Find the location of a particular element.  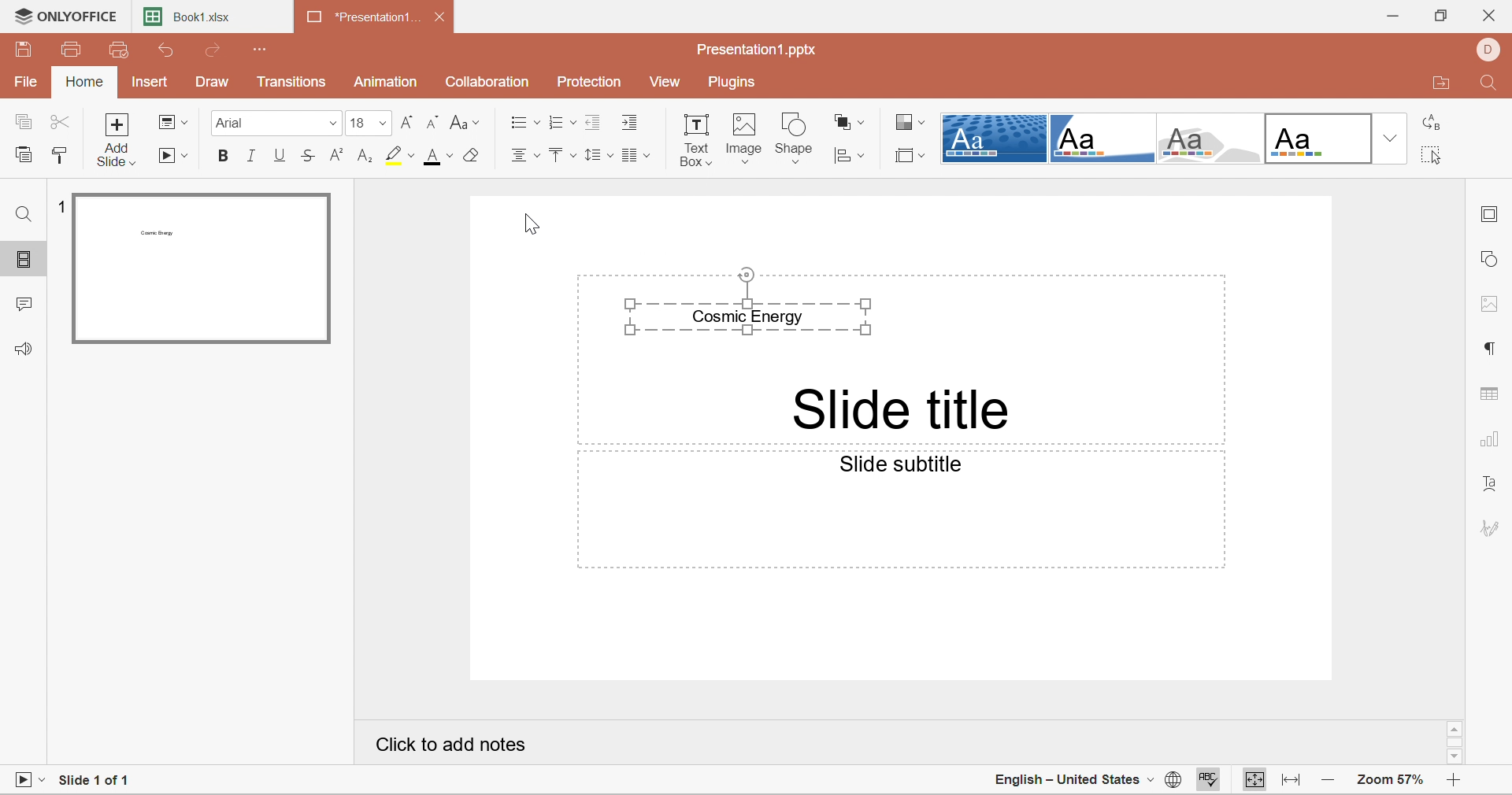

Image is located at coordinates (746, 139).